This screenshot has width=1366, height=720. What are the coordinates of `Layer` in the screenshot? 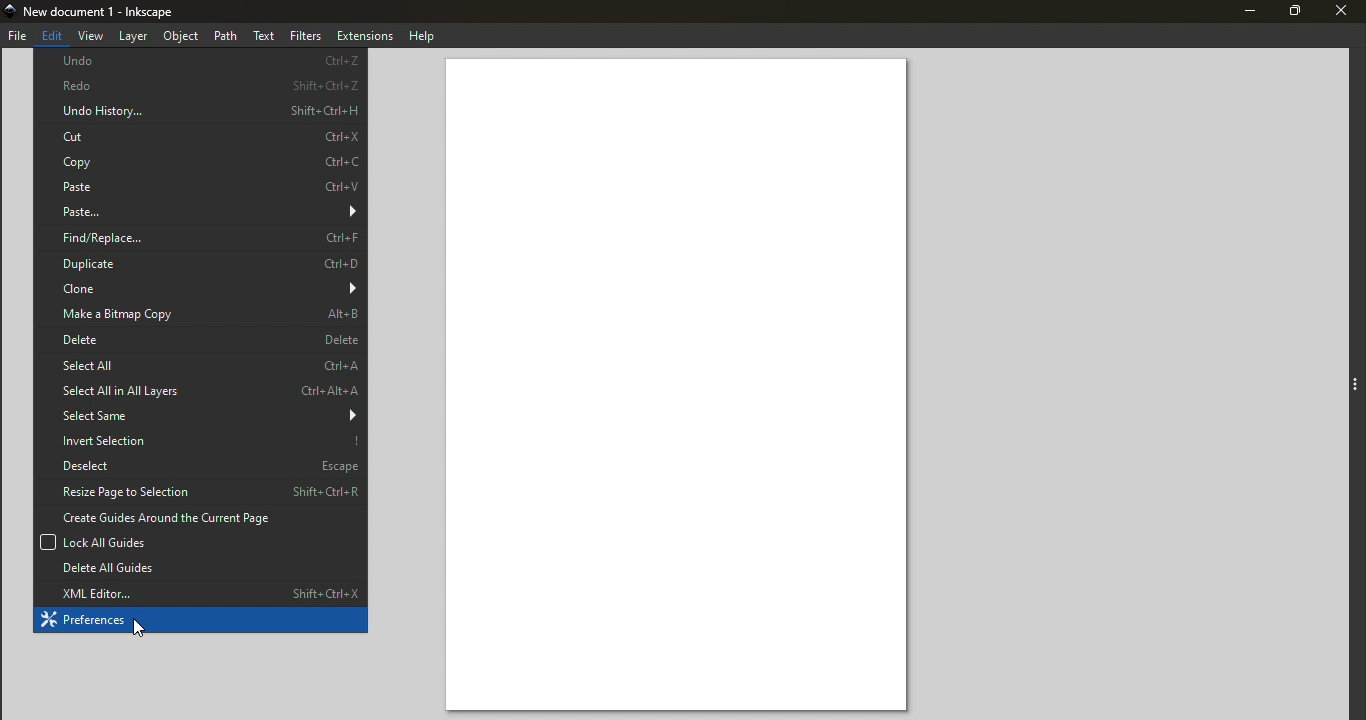 It's located at (135, 36).